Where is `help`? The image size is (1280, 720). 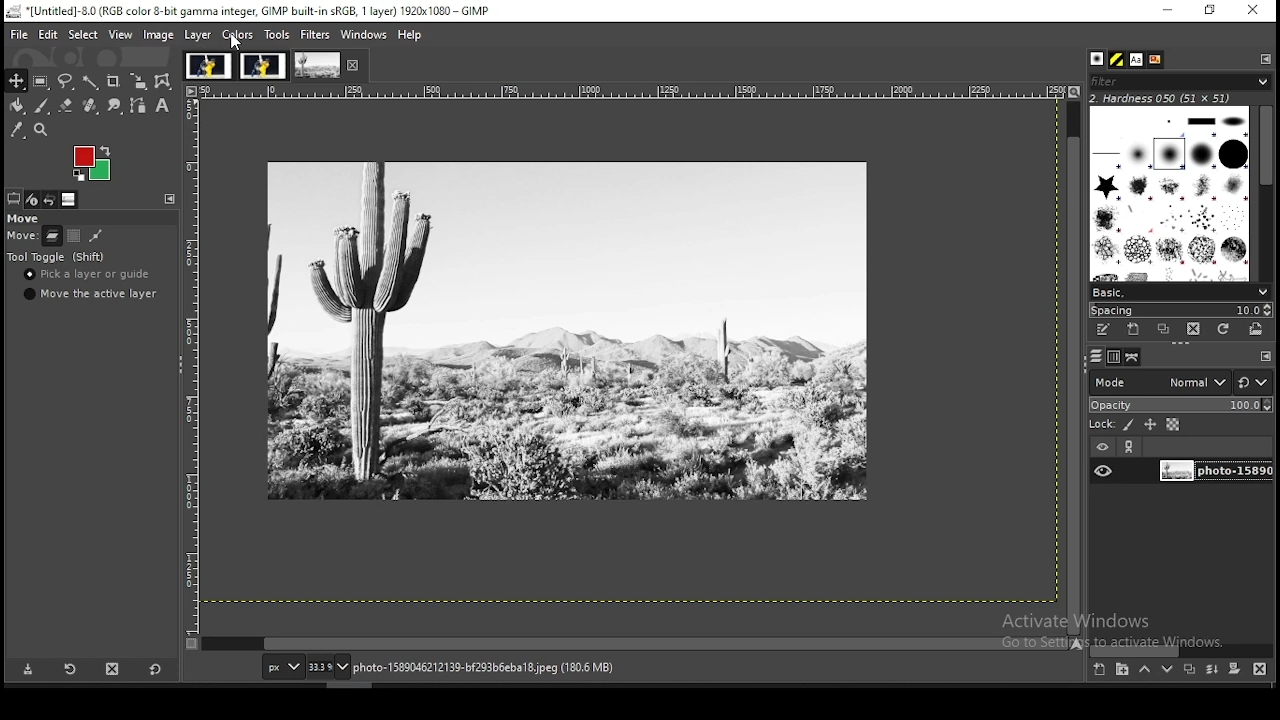 help is located at coordinates (412, 36).